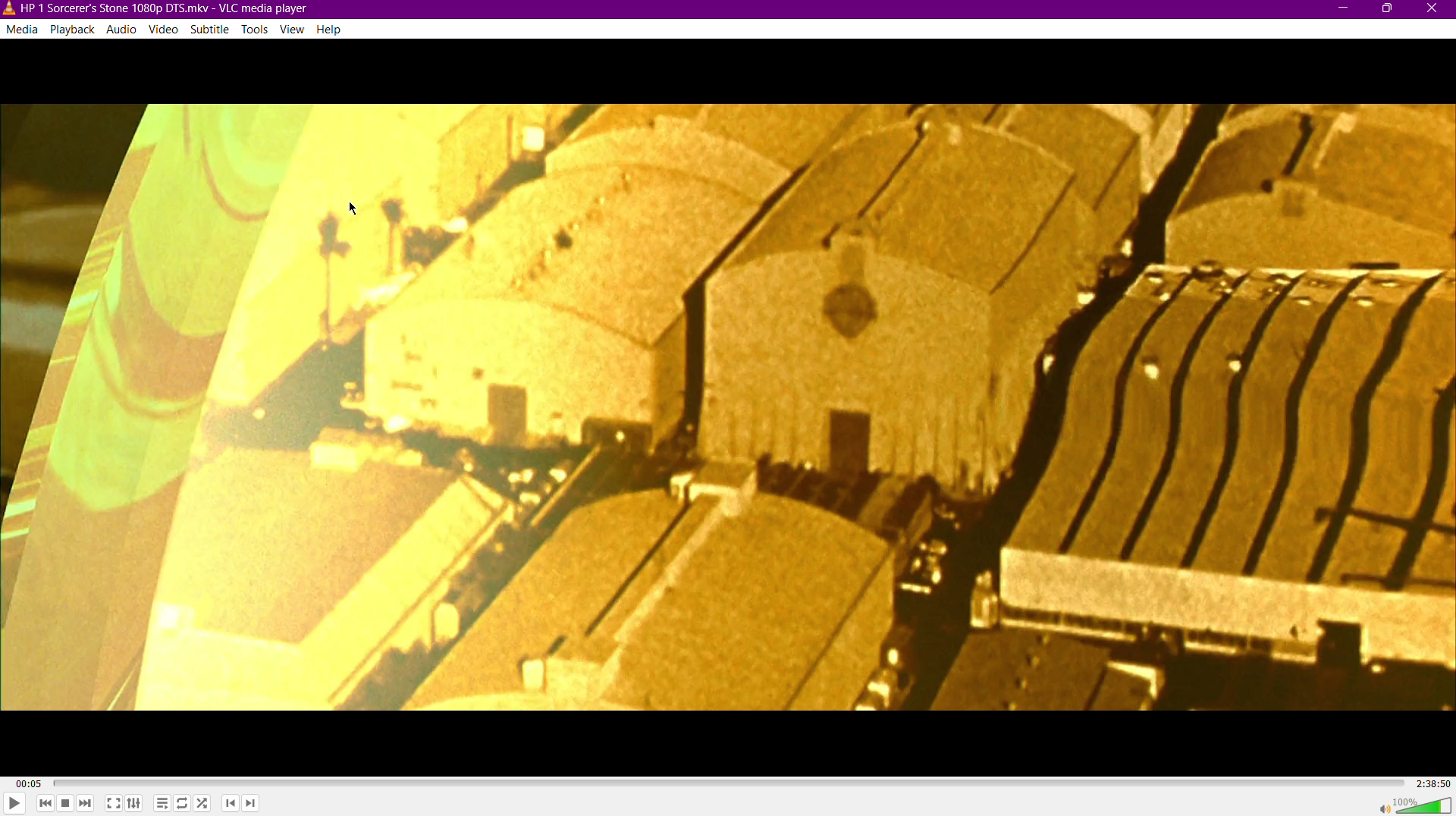 This screenshot has height=816, width=1456. What do you see at coordinates (21, 30) in the screenshot?
I see `Media` at bounding box center [21, 30].